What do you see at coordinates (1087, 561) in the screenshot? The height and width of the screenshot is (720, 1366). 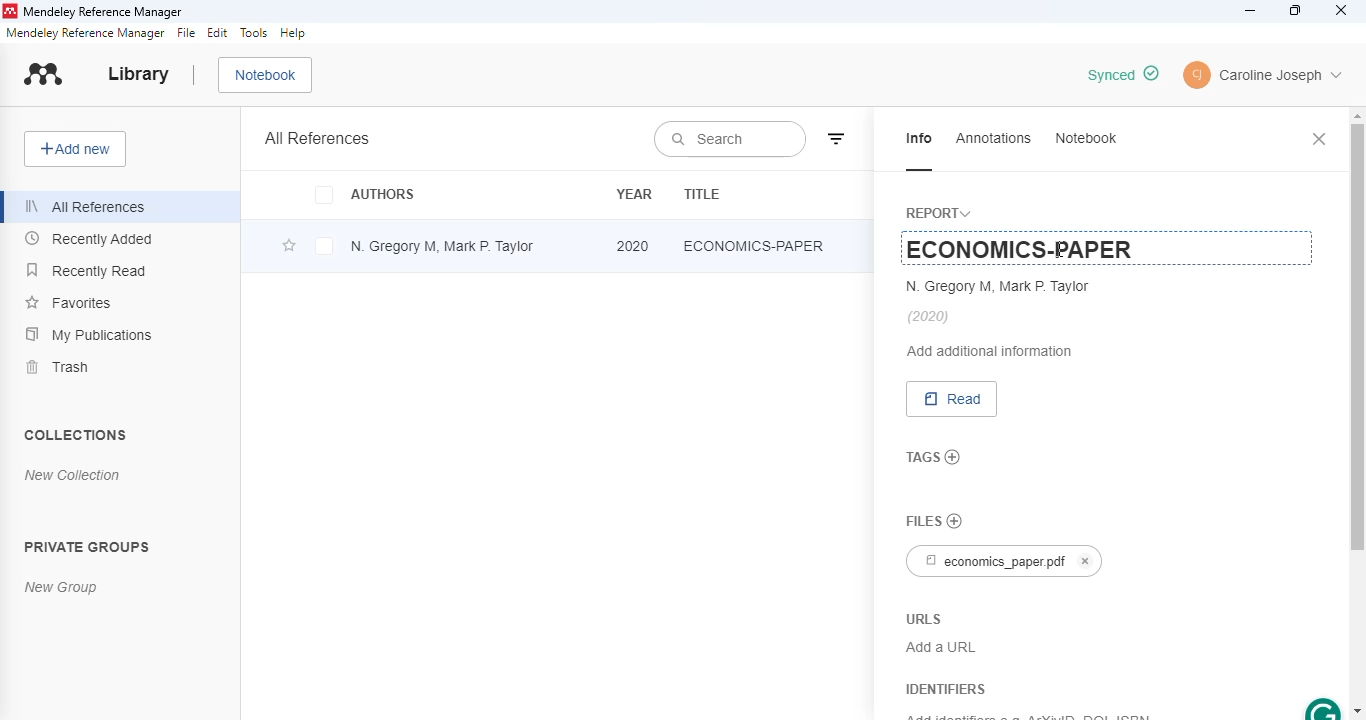 I see `cancel` at bounding box center [1087, 561].